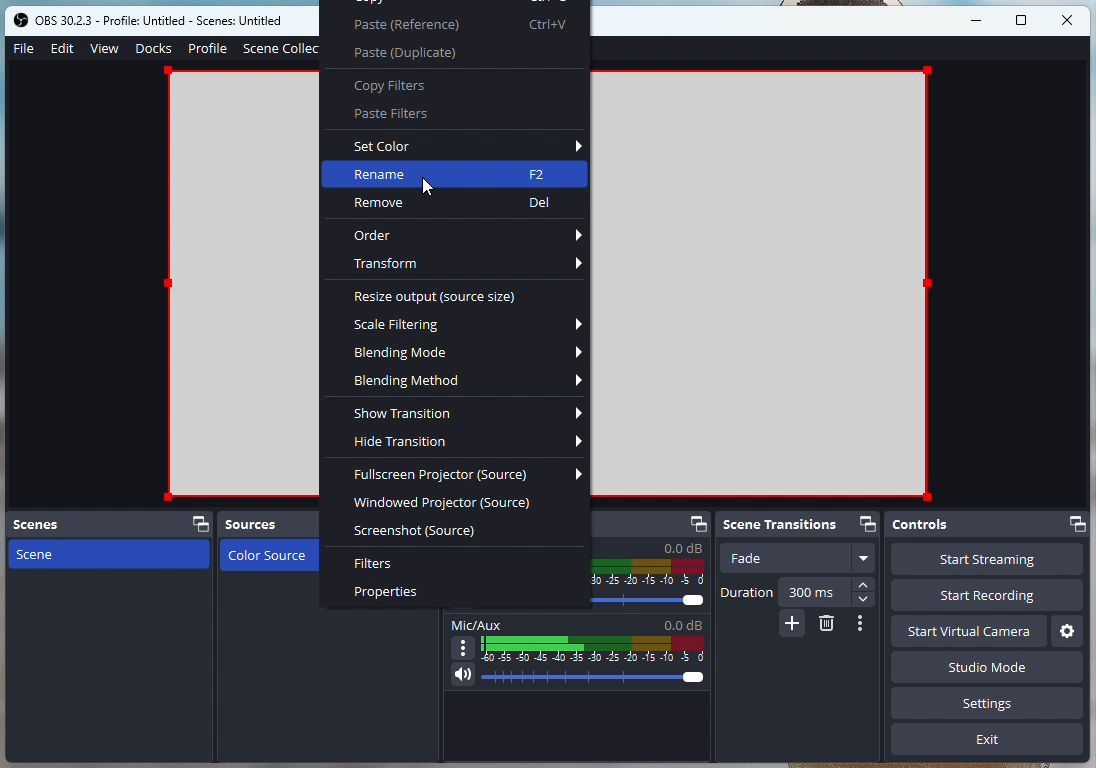  Describe the element at coordinates (827, 625) in the screenshot. I see `Erase` at that location.